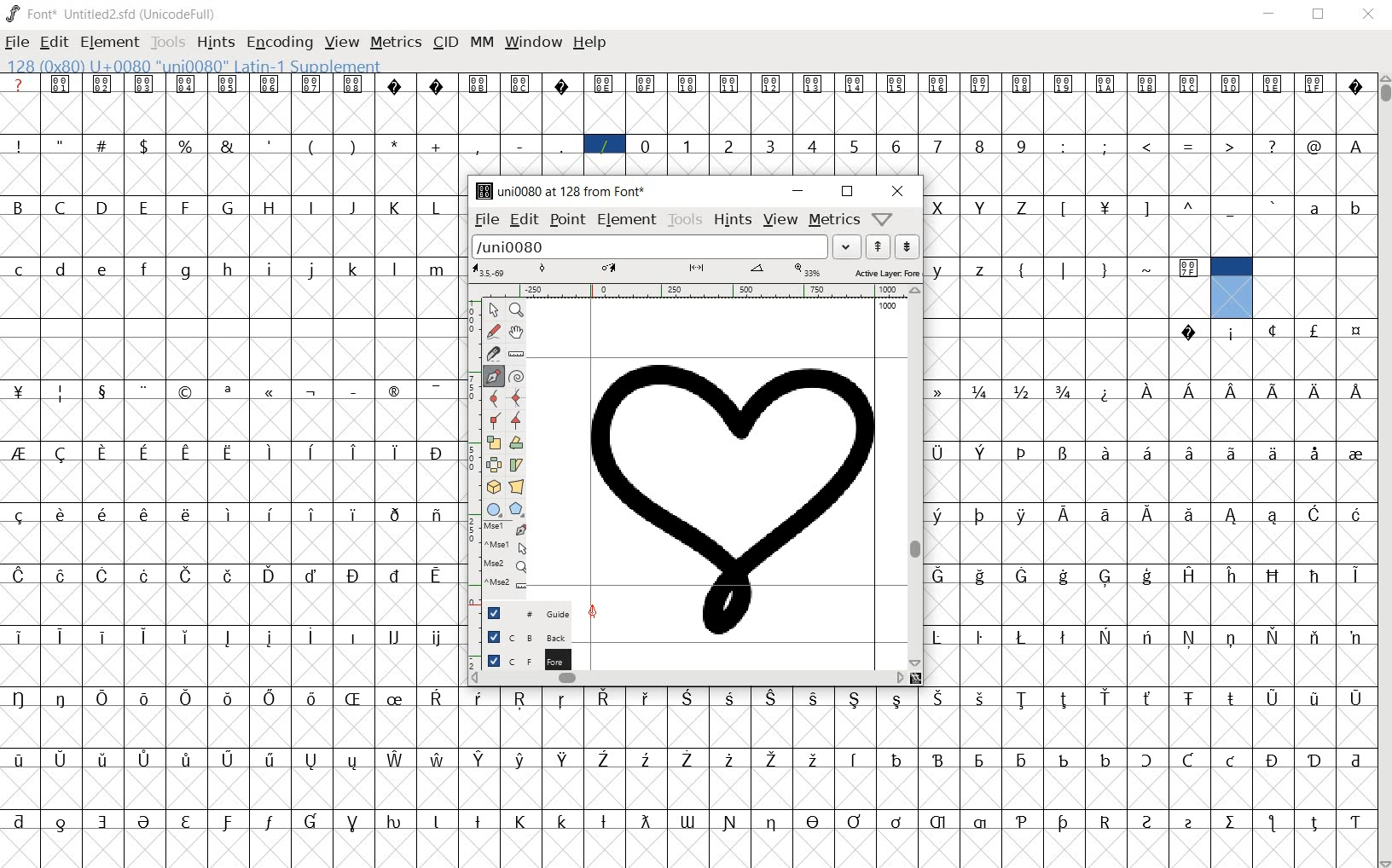 This screenshot has width=1392, height=868. What do you see at coordinates (1274, 636) in the screenshot?
I see `glyph` at bounding box center [1274, 636].